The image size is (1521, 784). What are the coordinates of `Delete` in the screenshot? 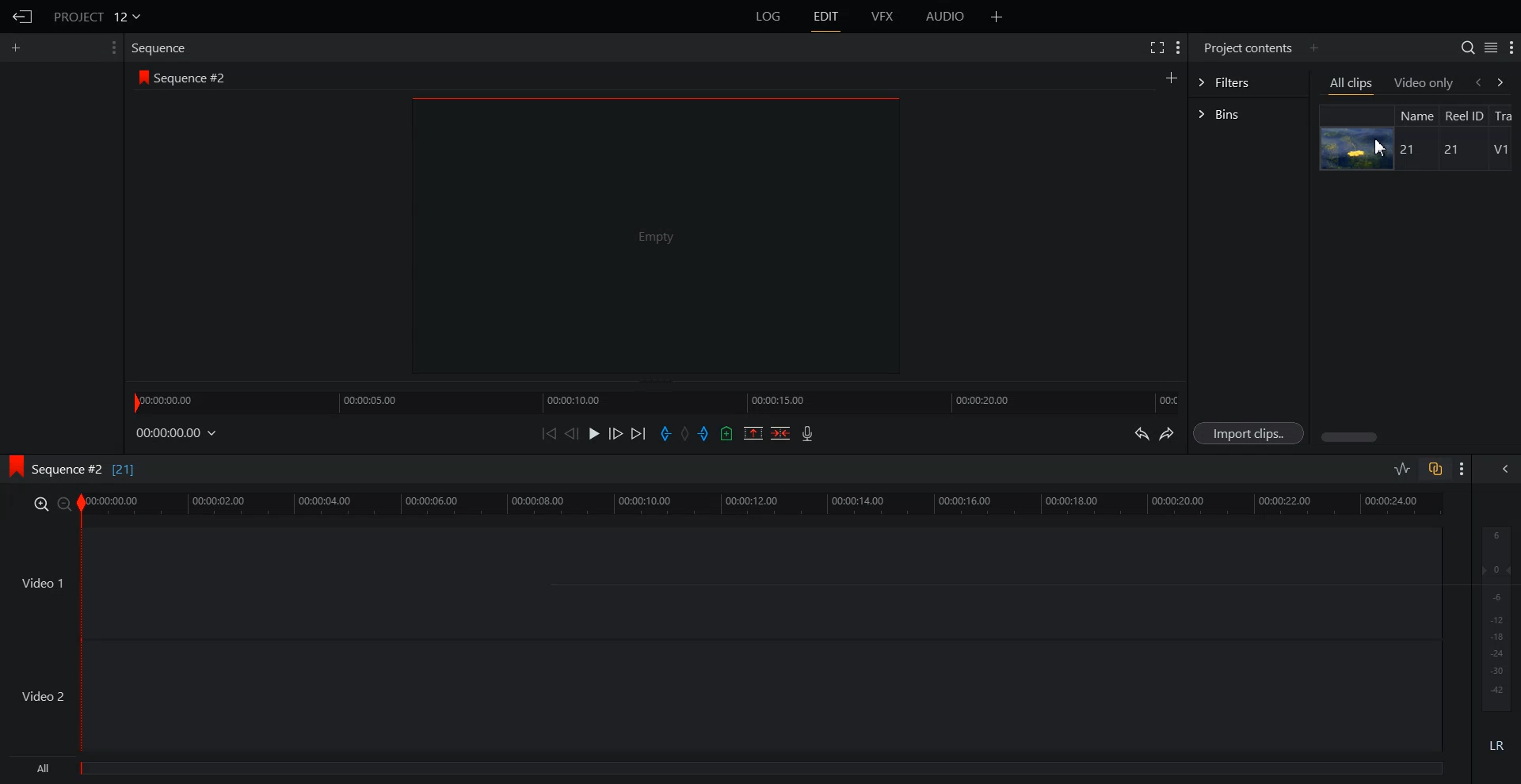 It's located at (780, 432).